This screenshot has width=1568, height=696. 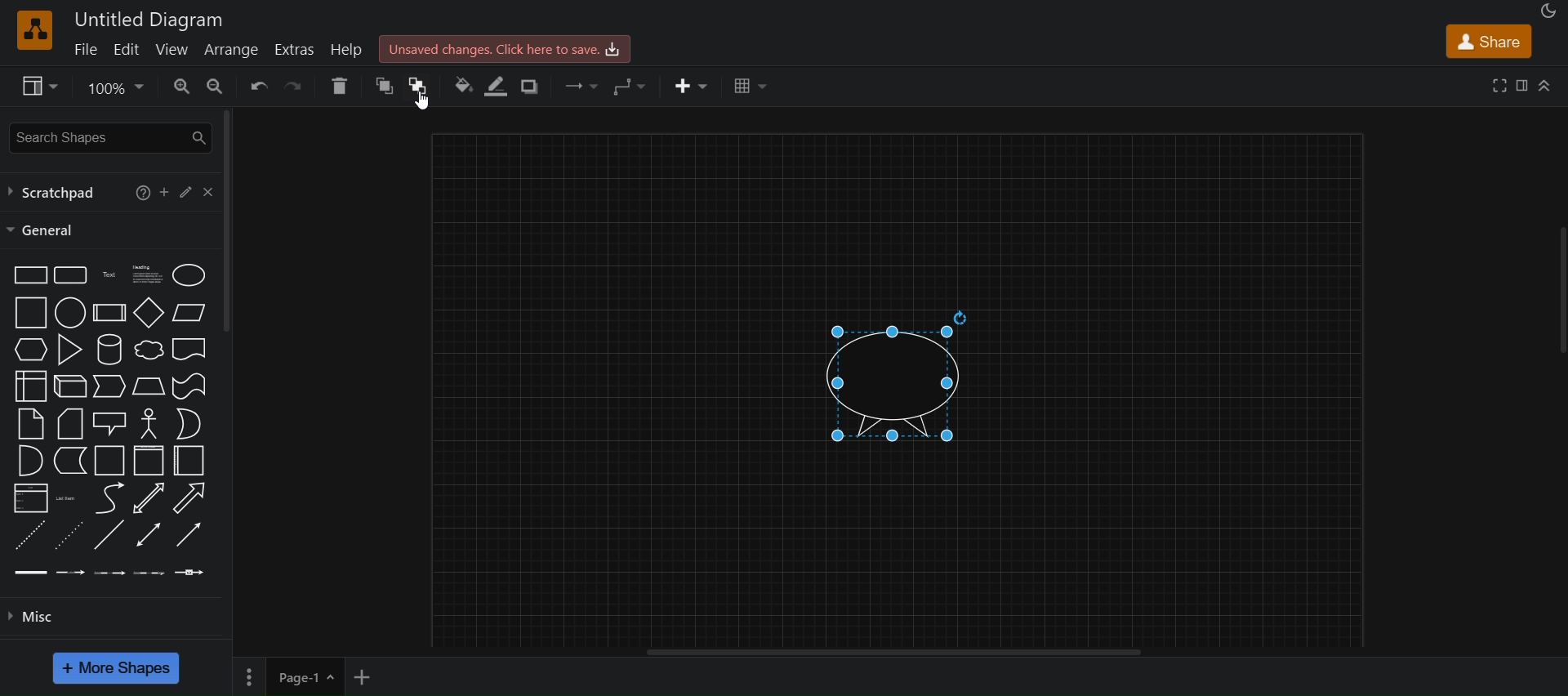 I want to click on to back, so click(x=416, y=87).